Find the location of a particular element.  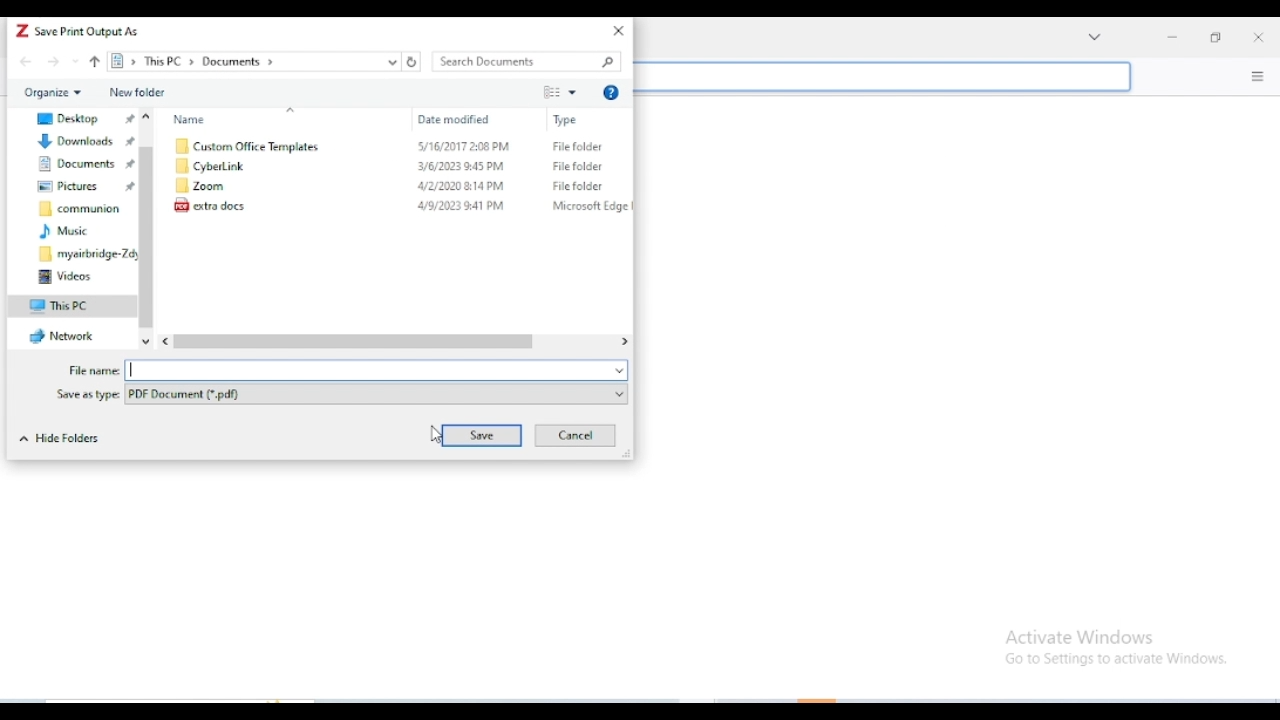

music is located at coordinates (66, 231).